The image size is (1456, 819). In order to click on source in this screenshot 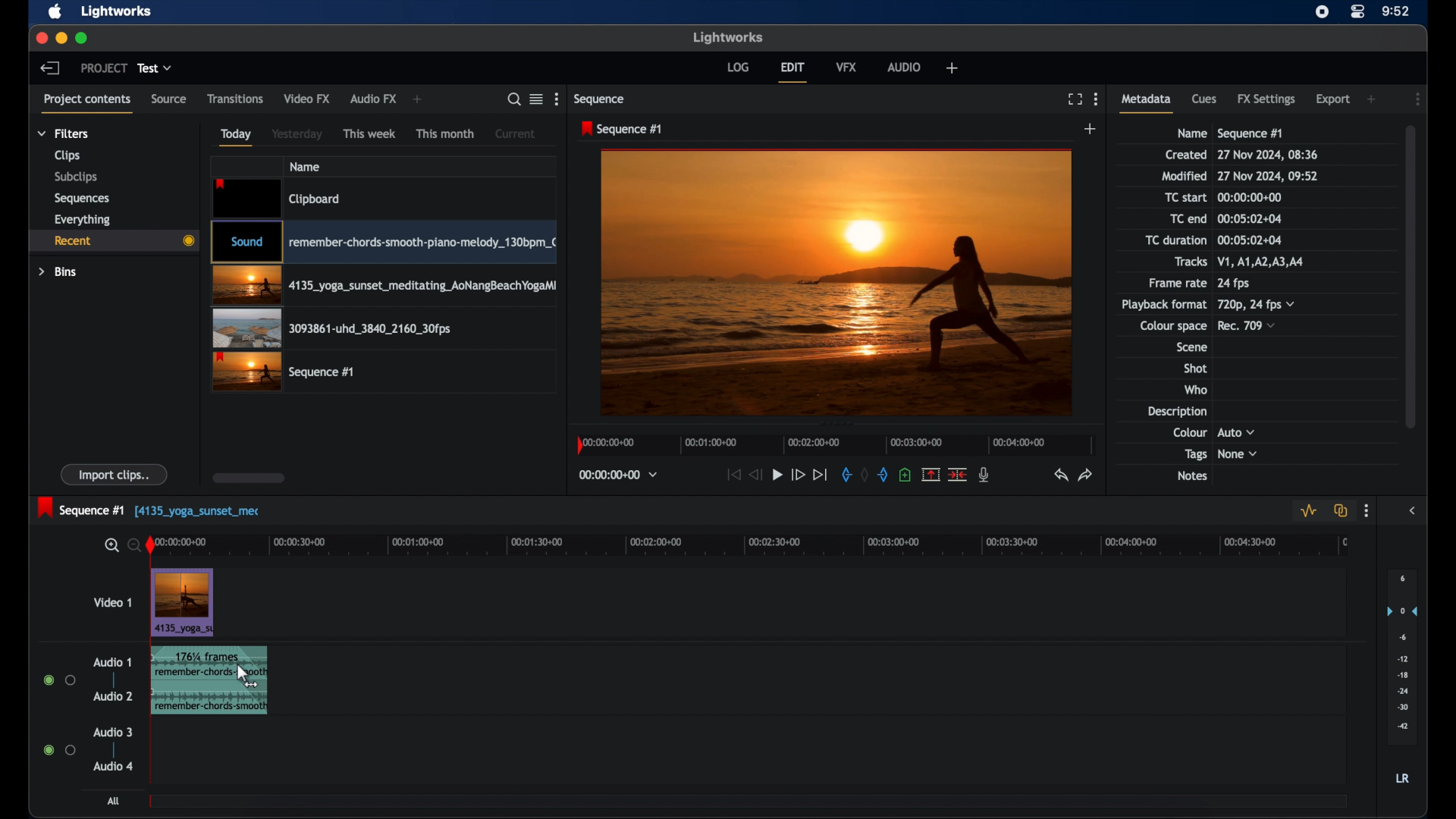, I will do `click(169, 98)`.